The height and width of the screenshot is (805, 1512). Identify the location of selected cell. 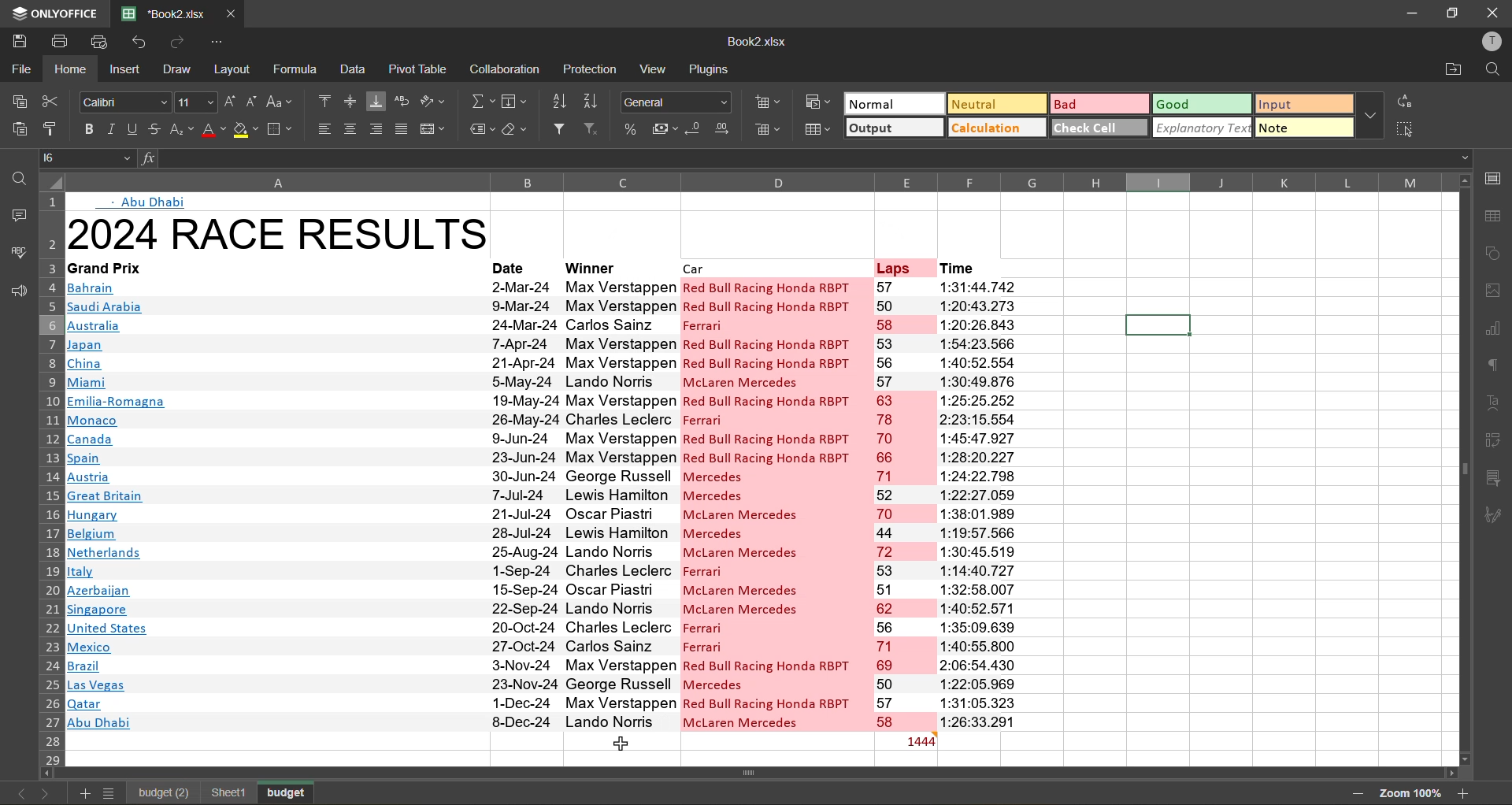
(1157, 325).